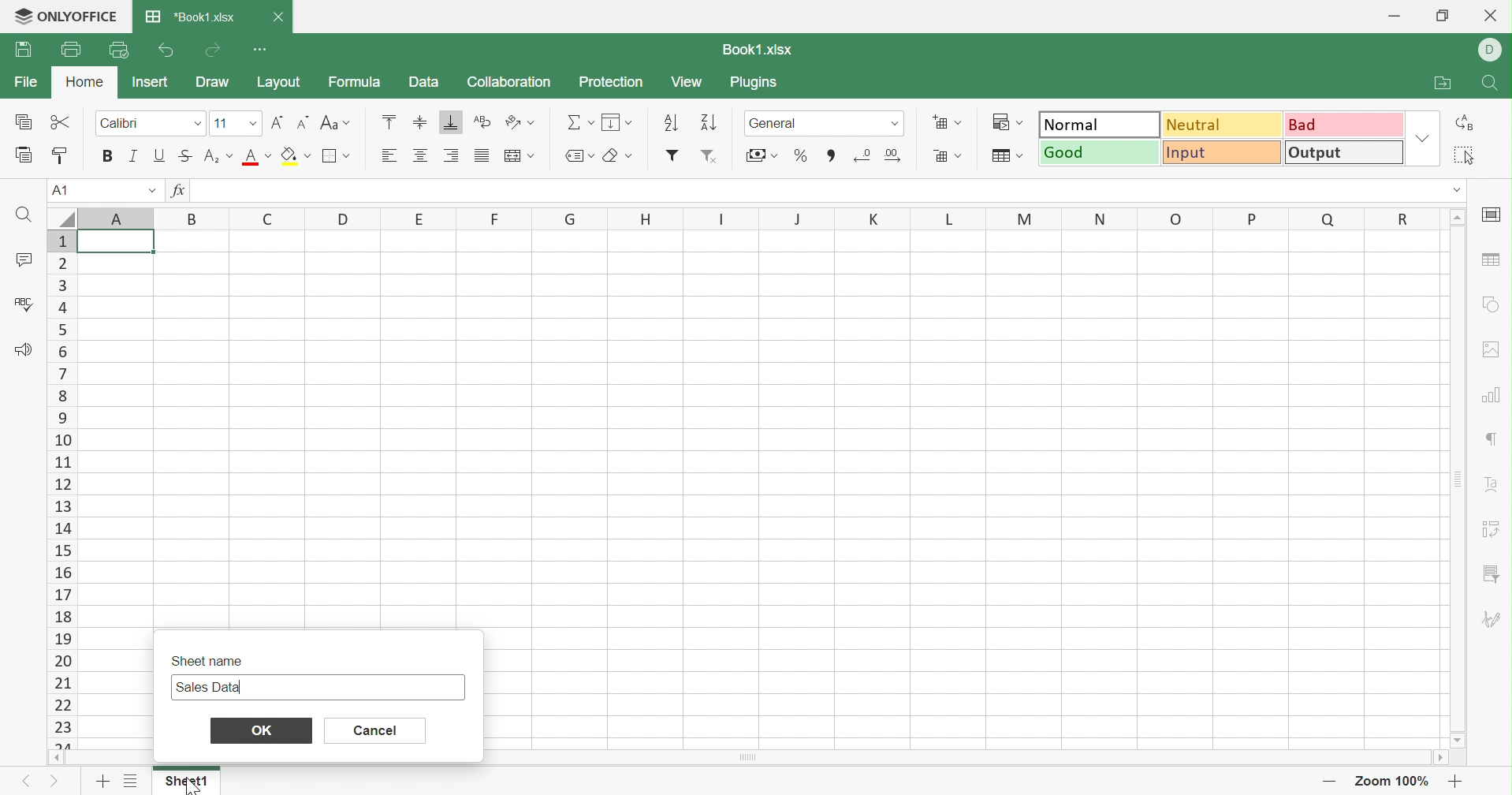 This screenshot has height=795, width=1512. I want to click on Comma style, so click(830, 155).